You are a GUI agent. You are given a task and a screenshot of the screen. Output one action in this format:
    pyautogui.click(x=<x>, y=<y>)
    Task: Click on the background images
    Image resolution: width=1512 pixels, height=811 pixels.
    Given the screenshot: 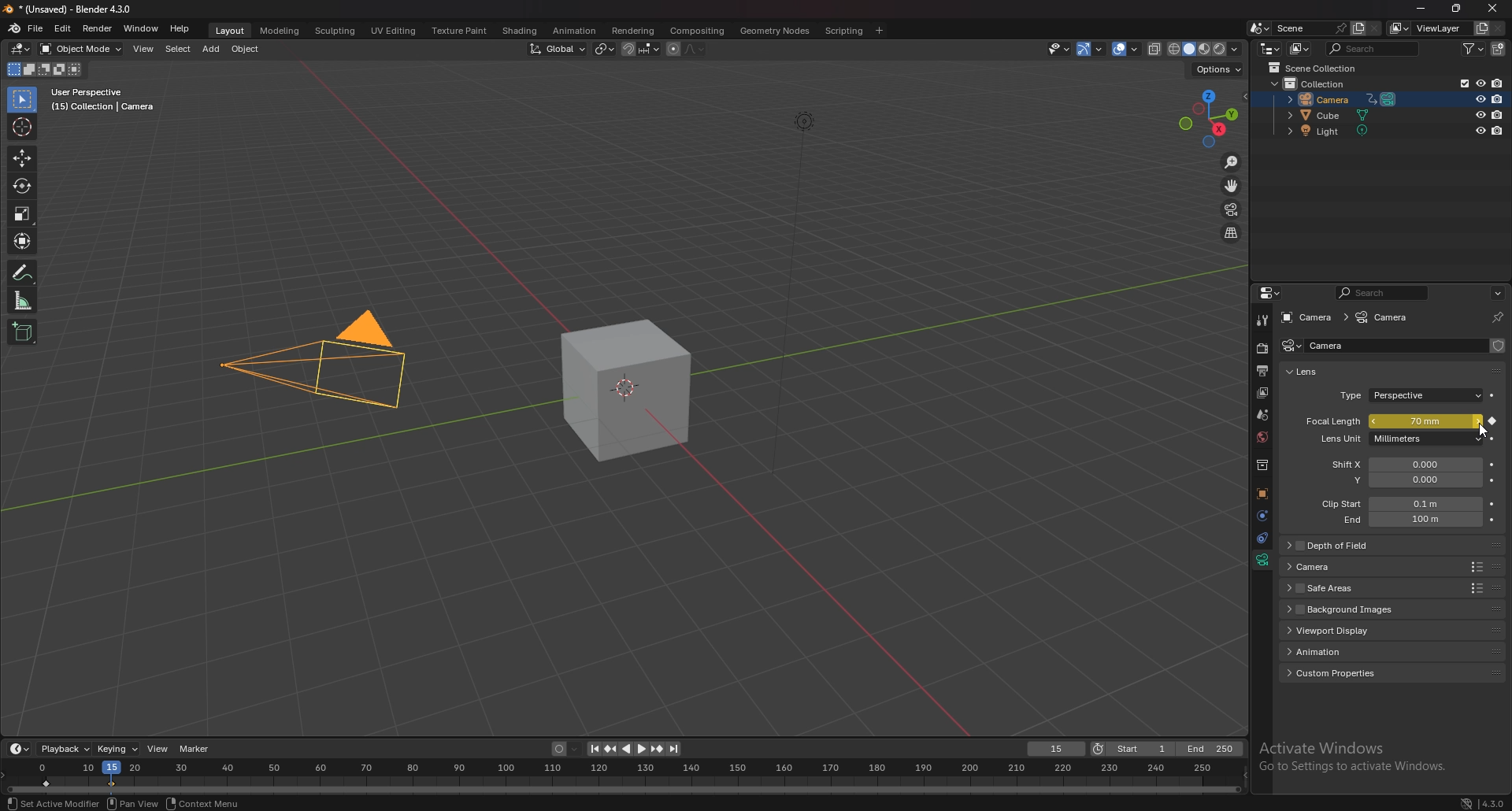 What is the action you would take?
    pyautogui.click(x=1351, y=609)
    